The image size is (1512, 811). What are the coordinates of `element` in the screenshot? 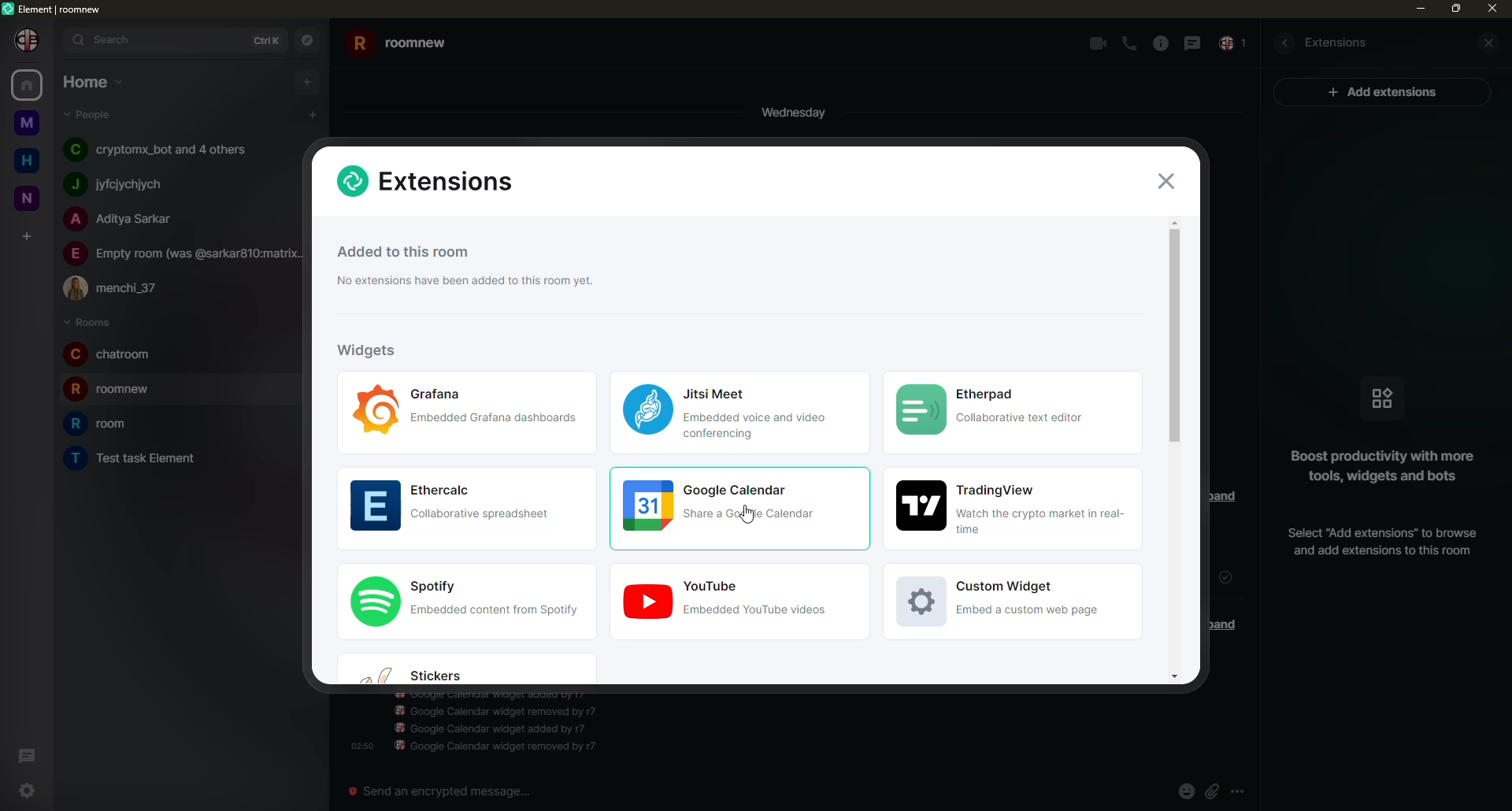 It's located at (54, 9).